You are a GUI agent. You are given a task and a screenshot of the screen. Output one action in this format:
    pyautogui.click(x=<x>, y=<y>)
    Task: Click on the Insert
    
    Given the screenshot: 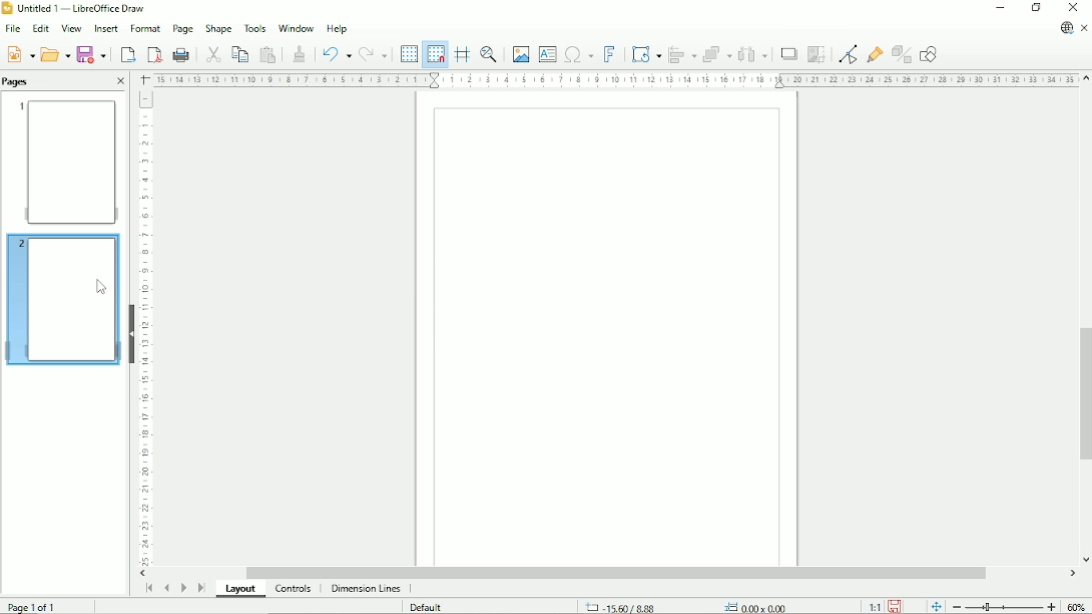 What is the action you would take?
    pyautogui.click(x=104, y=29)
    